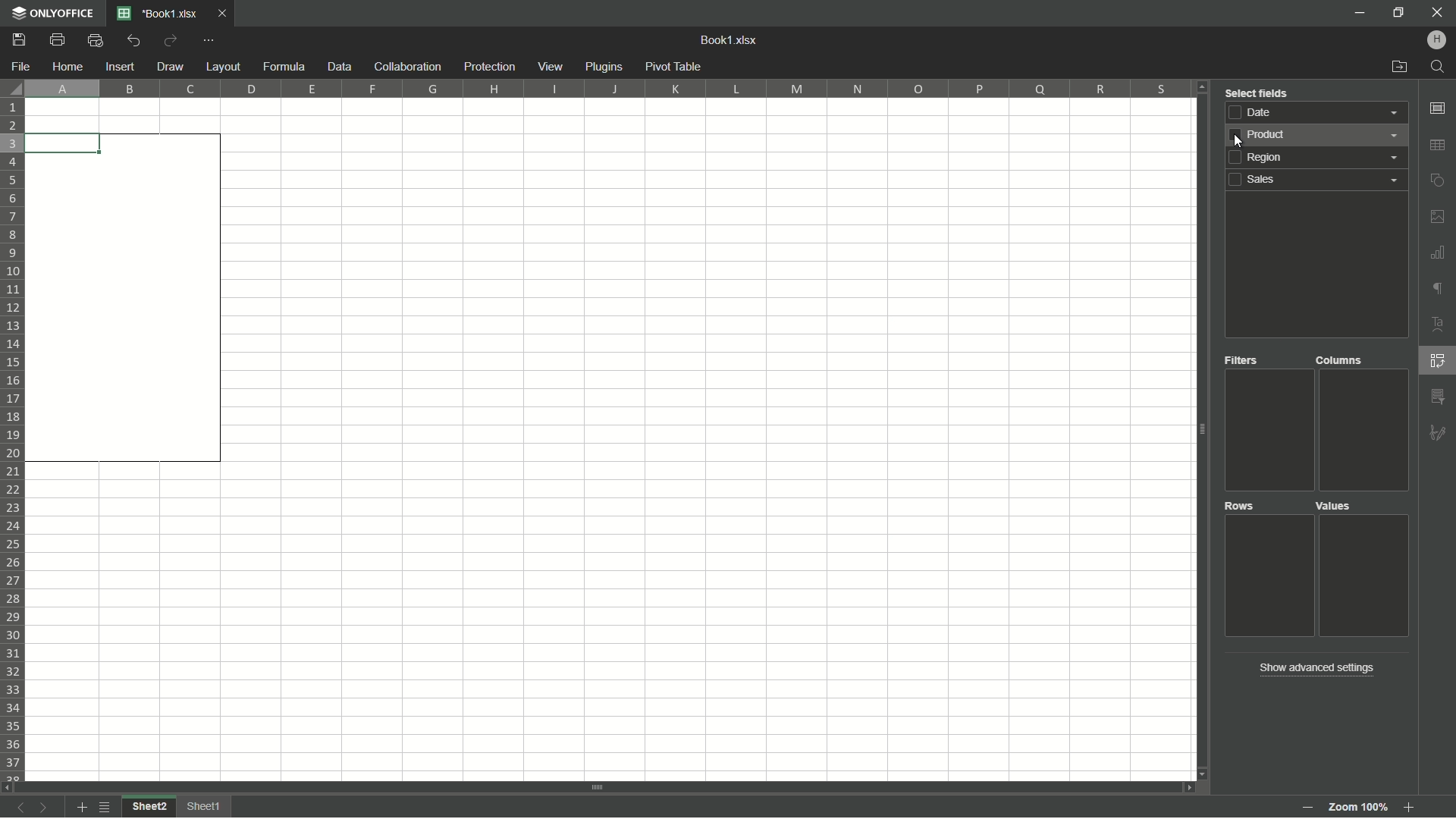 This screenshot has width=1456, height=819. Describe the element at coordinates (210, 42) in the screenshot. I see `customize quick access toolbar` at that location.